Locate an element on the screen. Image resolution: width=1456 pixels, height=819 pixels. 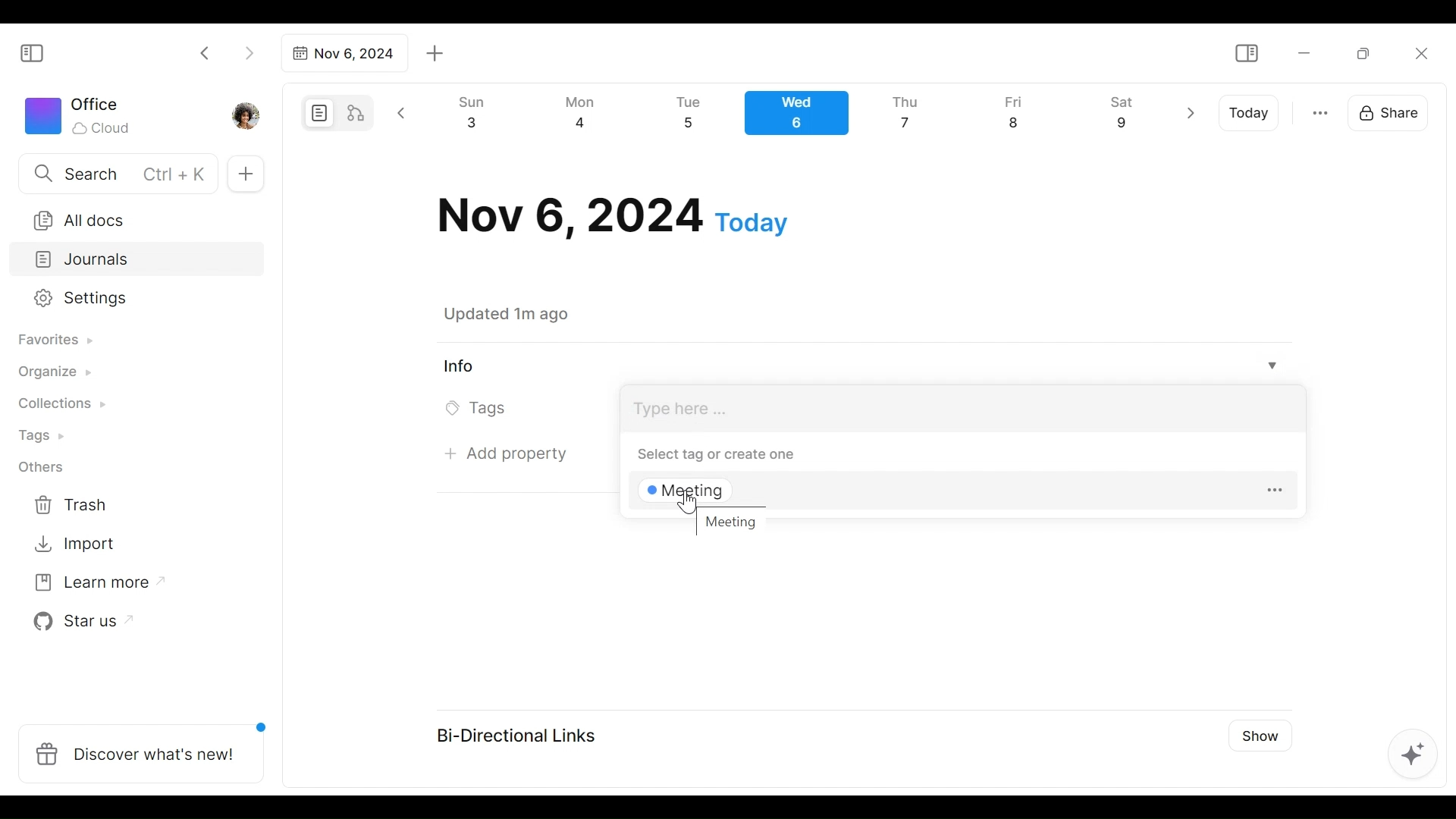
Import is located at coordinates (77, 542).